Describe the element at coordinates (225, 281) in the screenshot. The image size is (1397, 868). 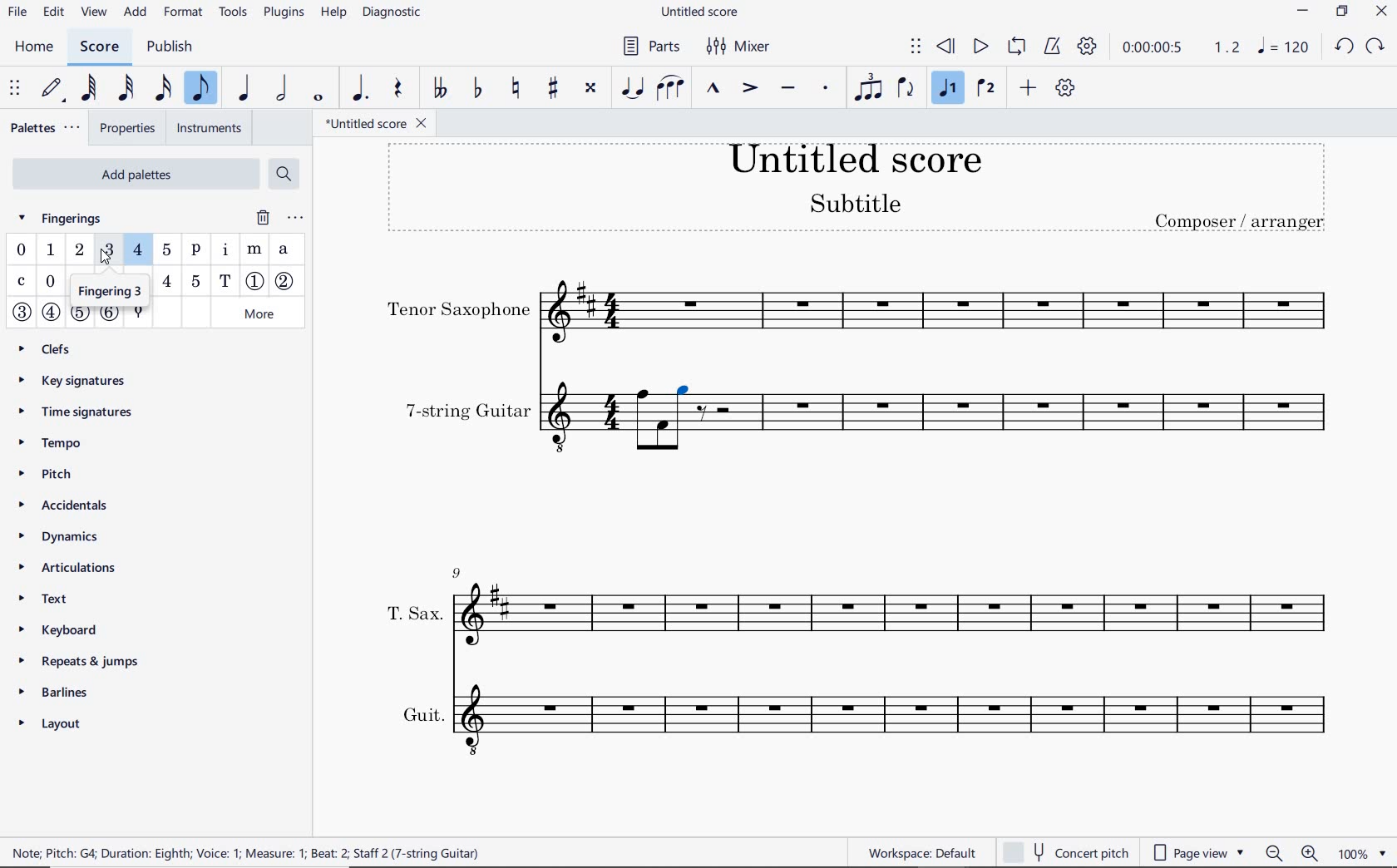
I see `LH Guitar Fingering T` at that location.